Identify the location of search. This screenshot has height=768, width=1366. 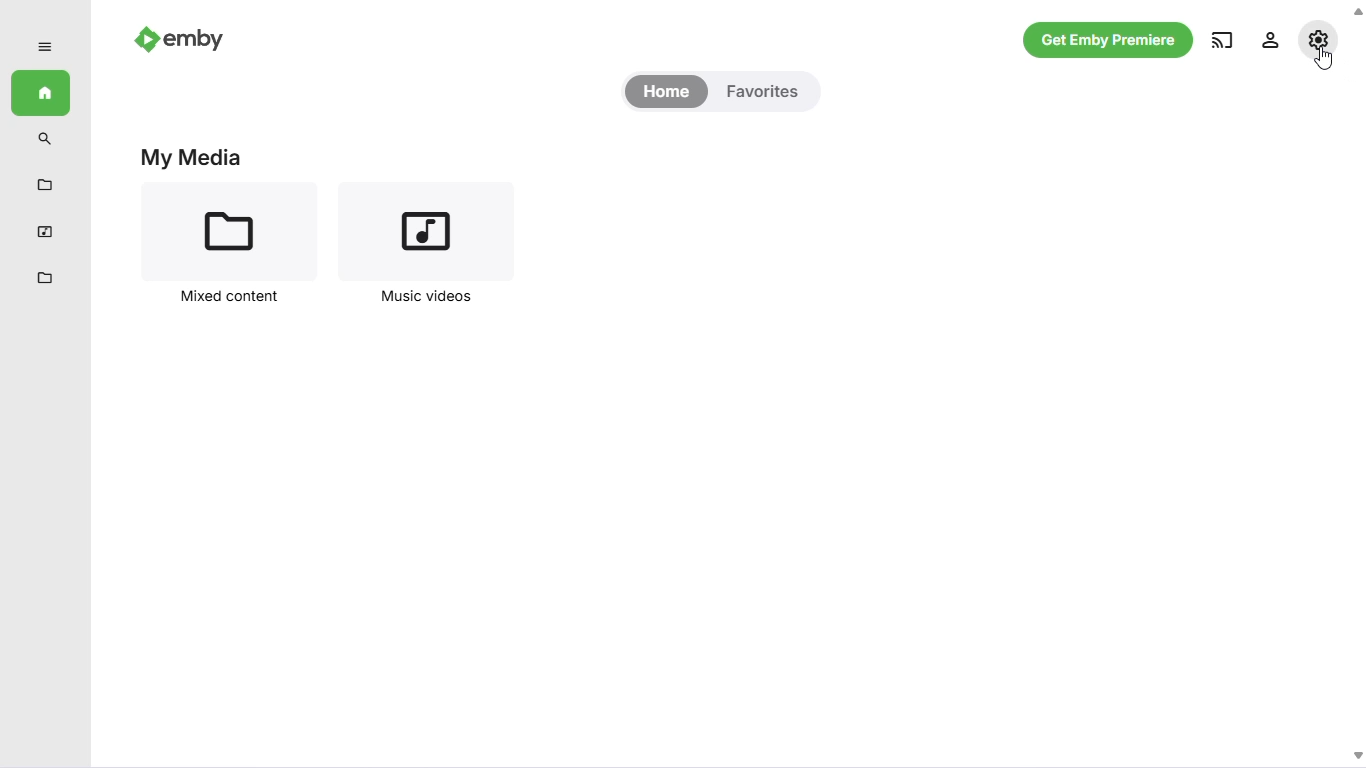
(49, 138).